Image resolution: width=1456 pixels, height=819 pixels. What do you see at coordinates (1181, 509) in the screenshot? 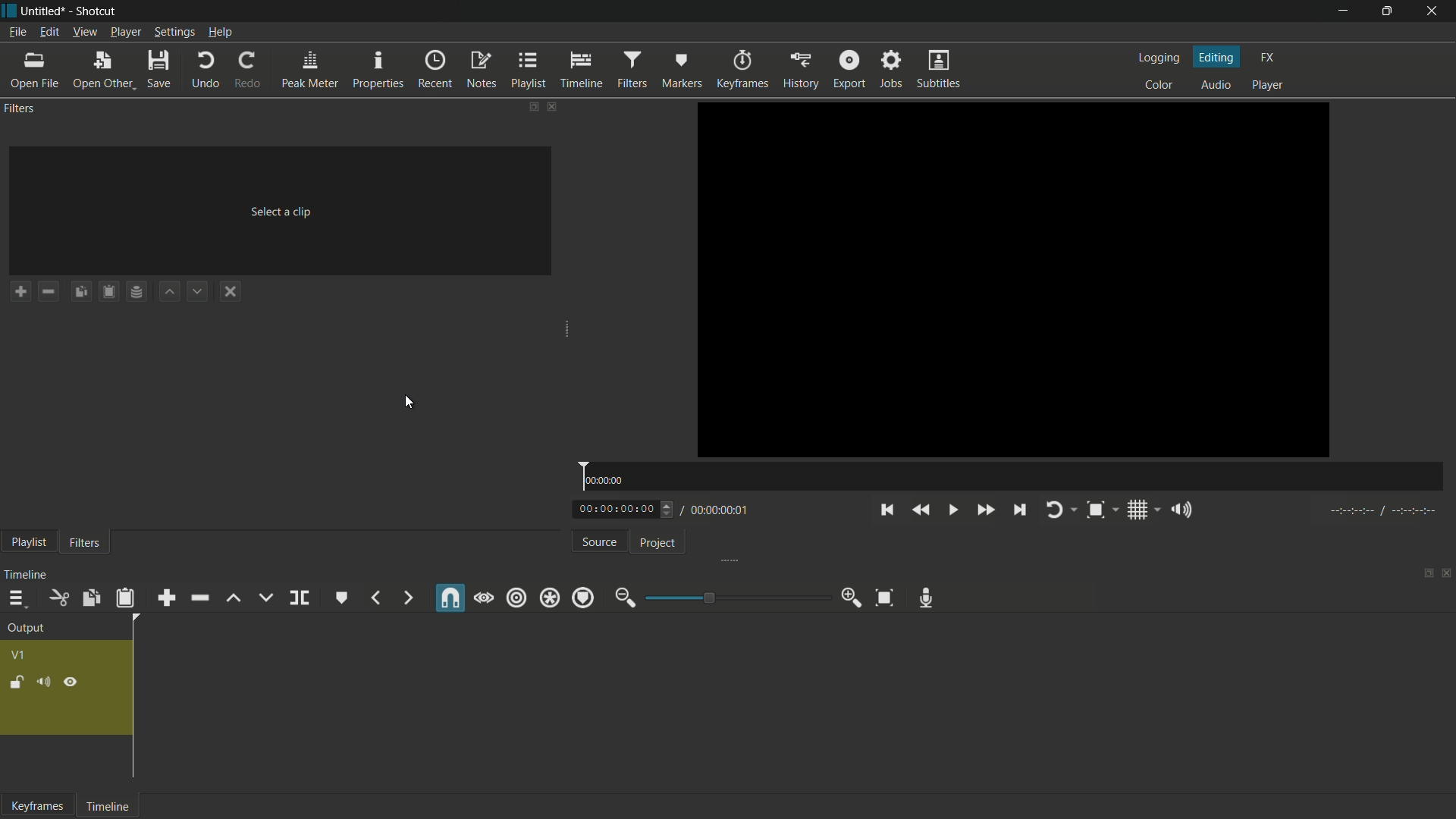
I see `show volume control` at bounding box center [1181, 509].